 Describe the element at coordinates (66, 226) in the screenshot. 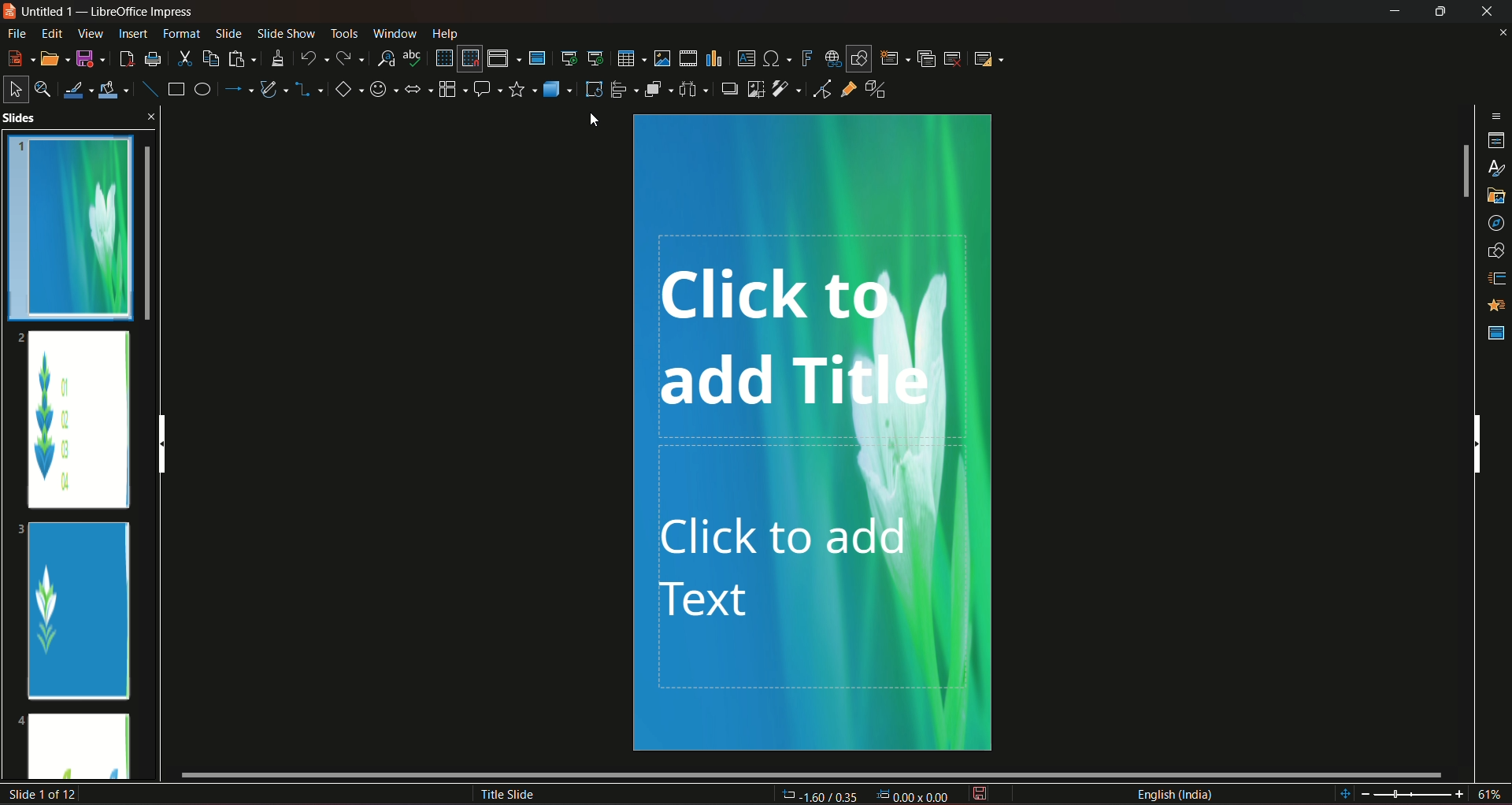

I see `slide 1` at that location.